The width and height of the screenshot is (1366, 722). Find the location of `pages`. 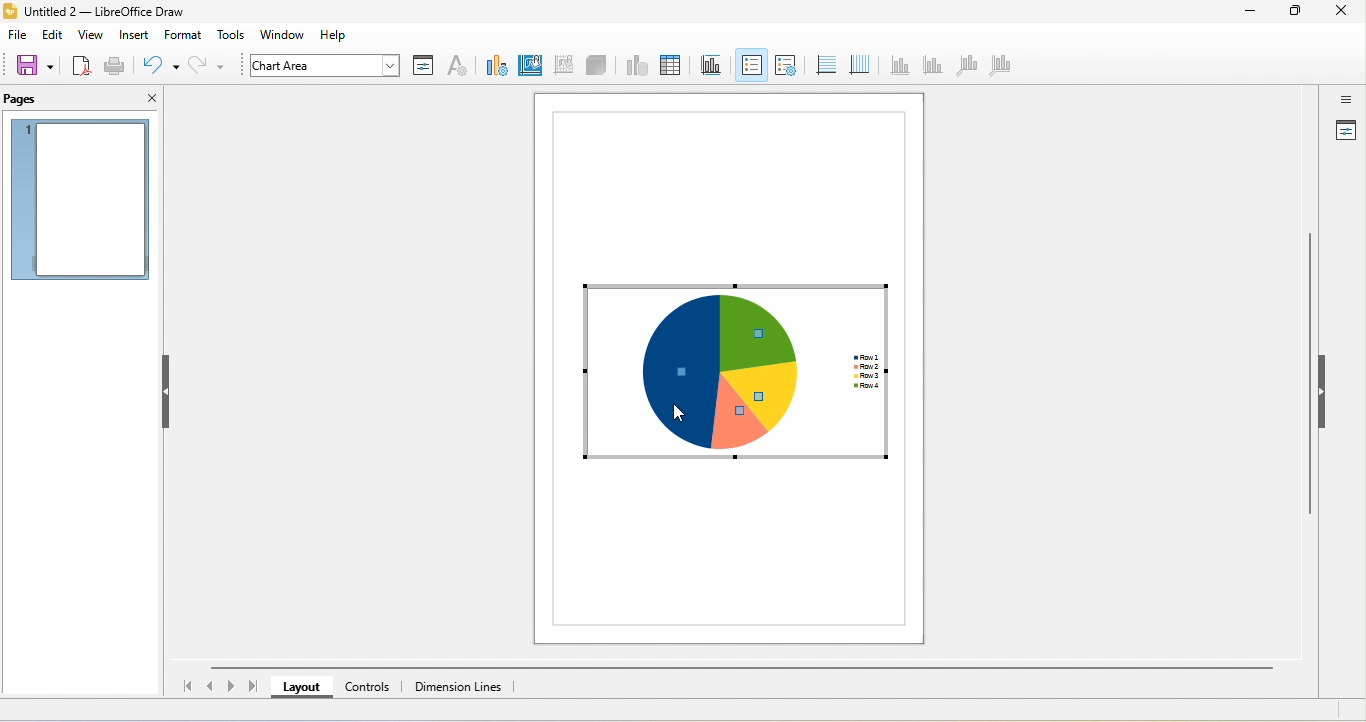

pages is located at coordinates (39, 99).